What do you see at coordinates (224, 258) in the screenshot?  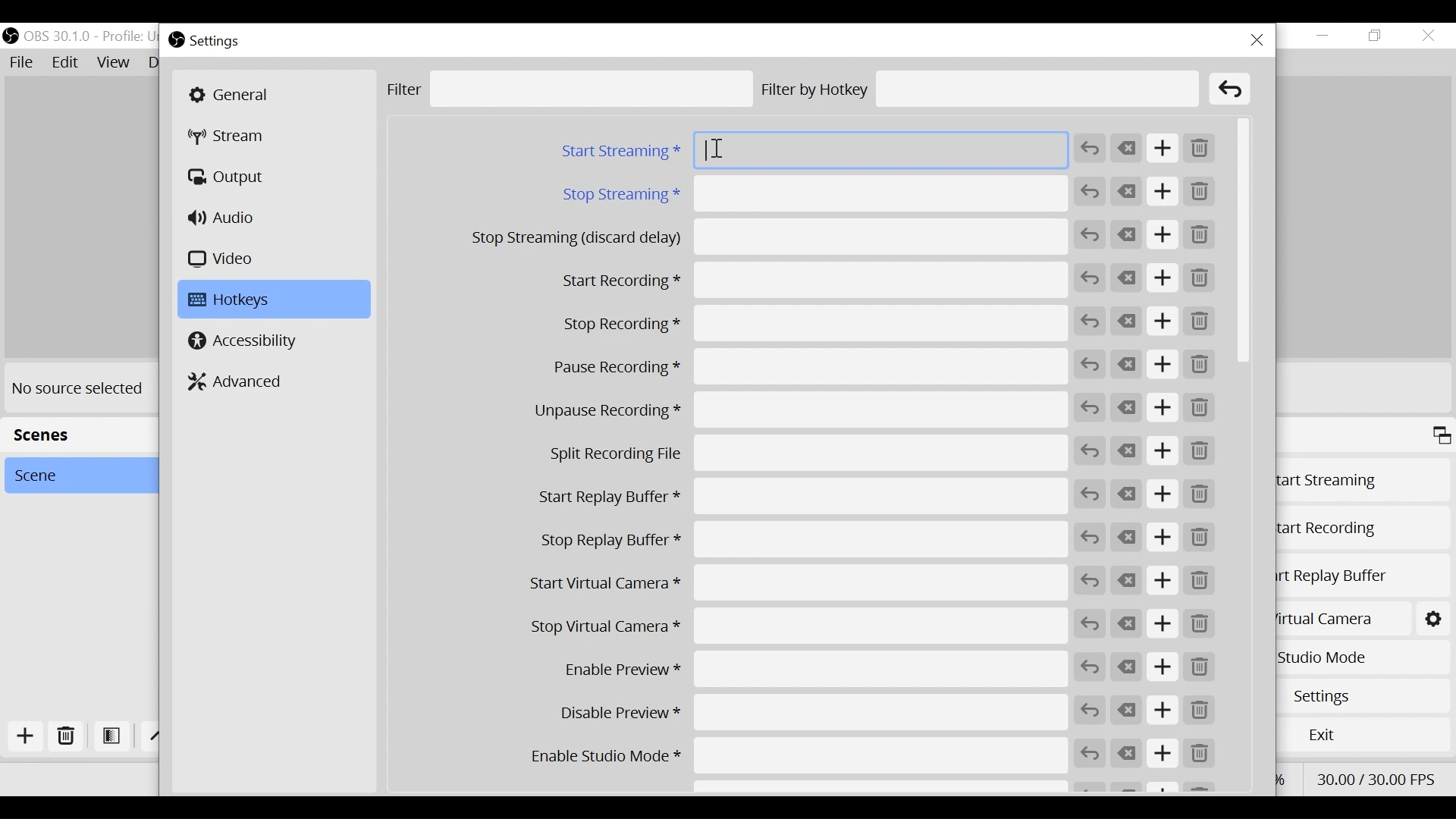 I see `Video` at bounding box center [224, 258].